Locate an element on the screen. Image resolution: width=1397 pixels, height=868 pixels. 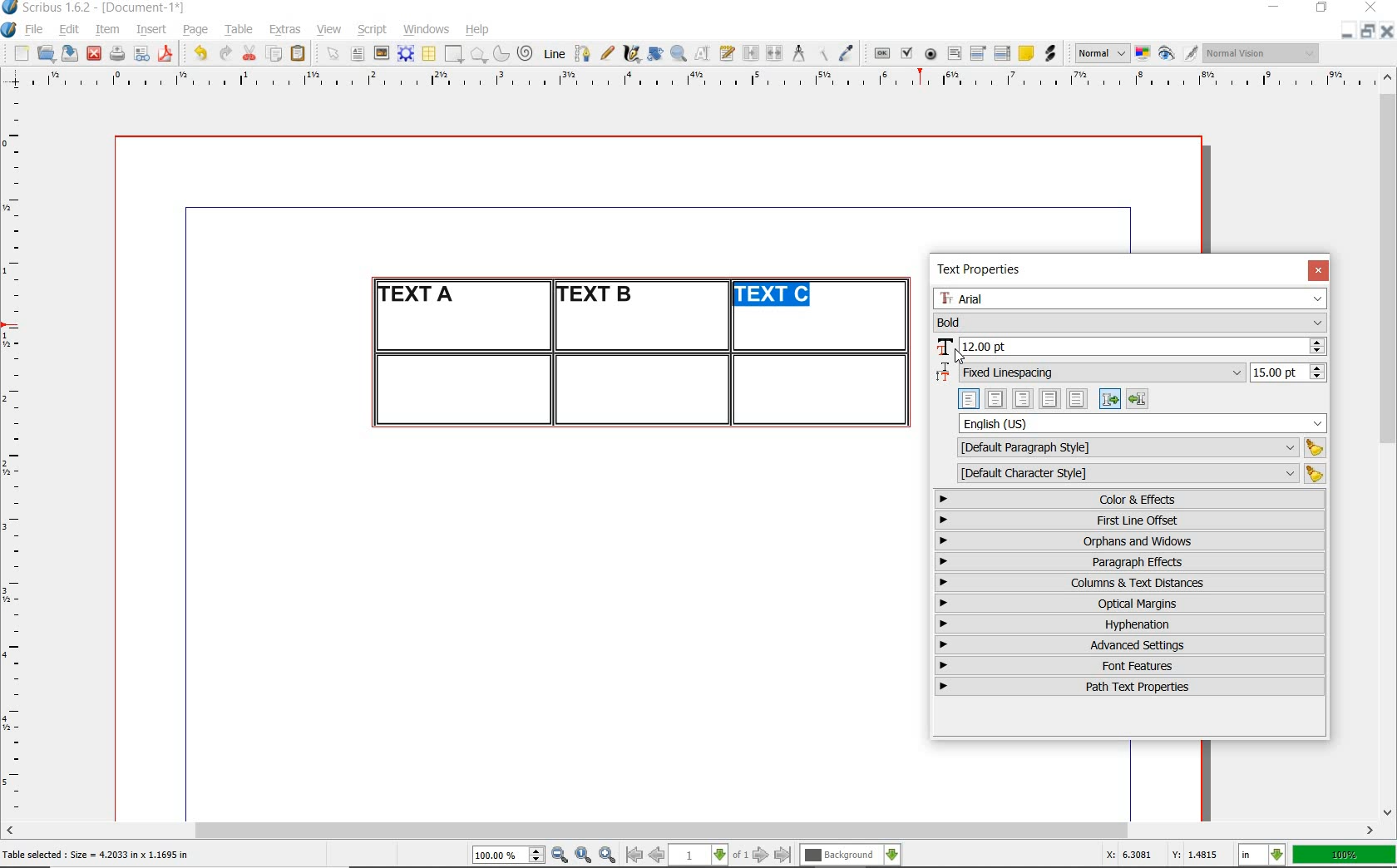
page is located at coordinates (195, 29).